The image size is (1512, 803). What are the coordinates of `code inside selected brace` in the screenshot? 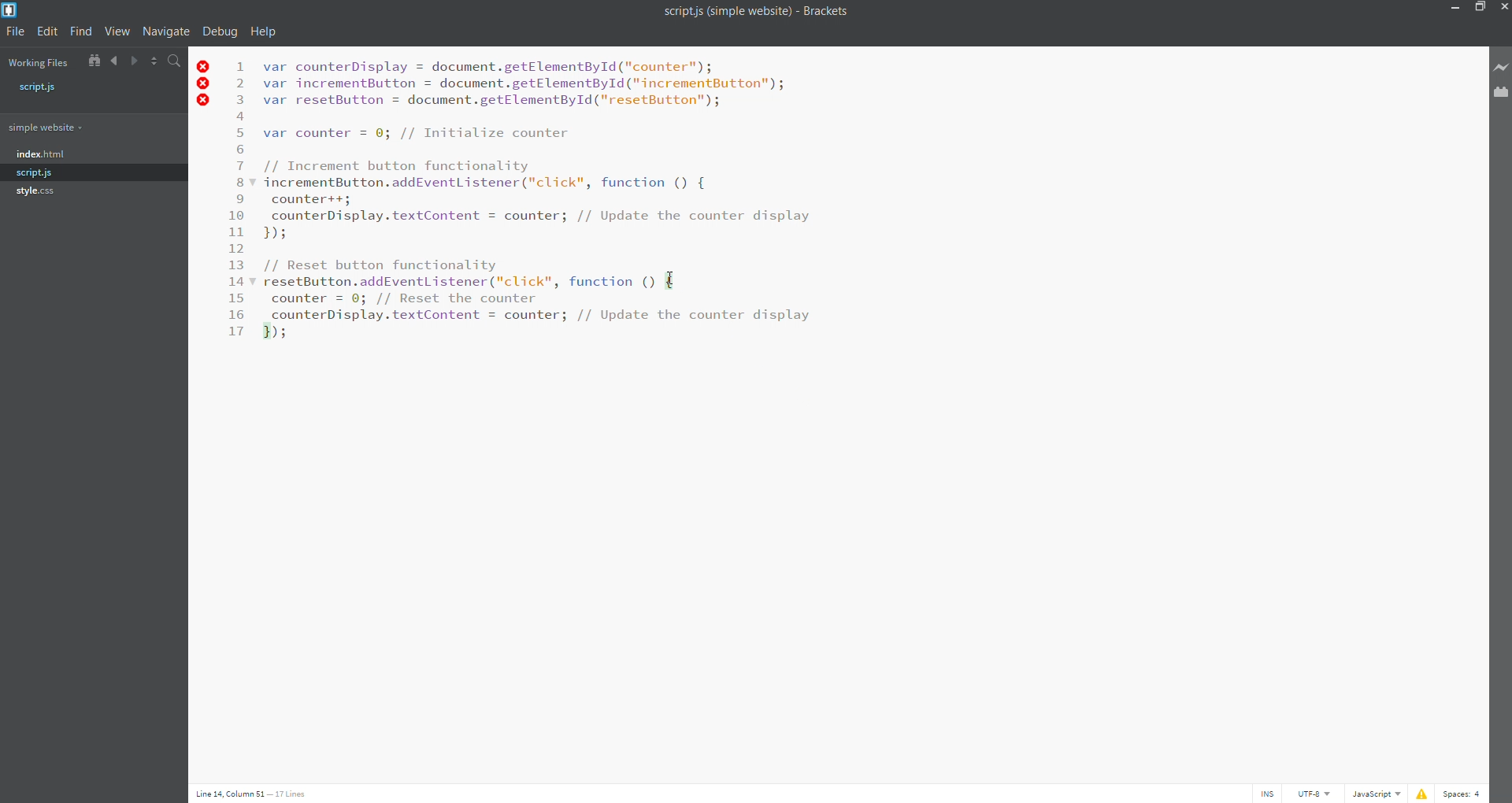 It's located at (547, 317).